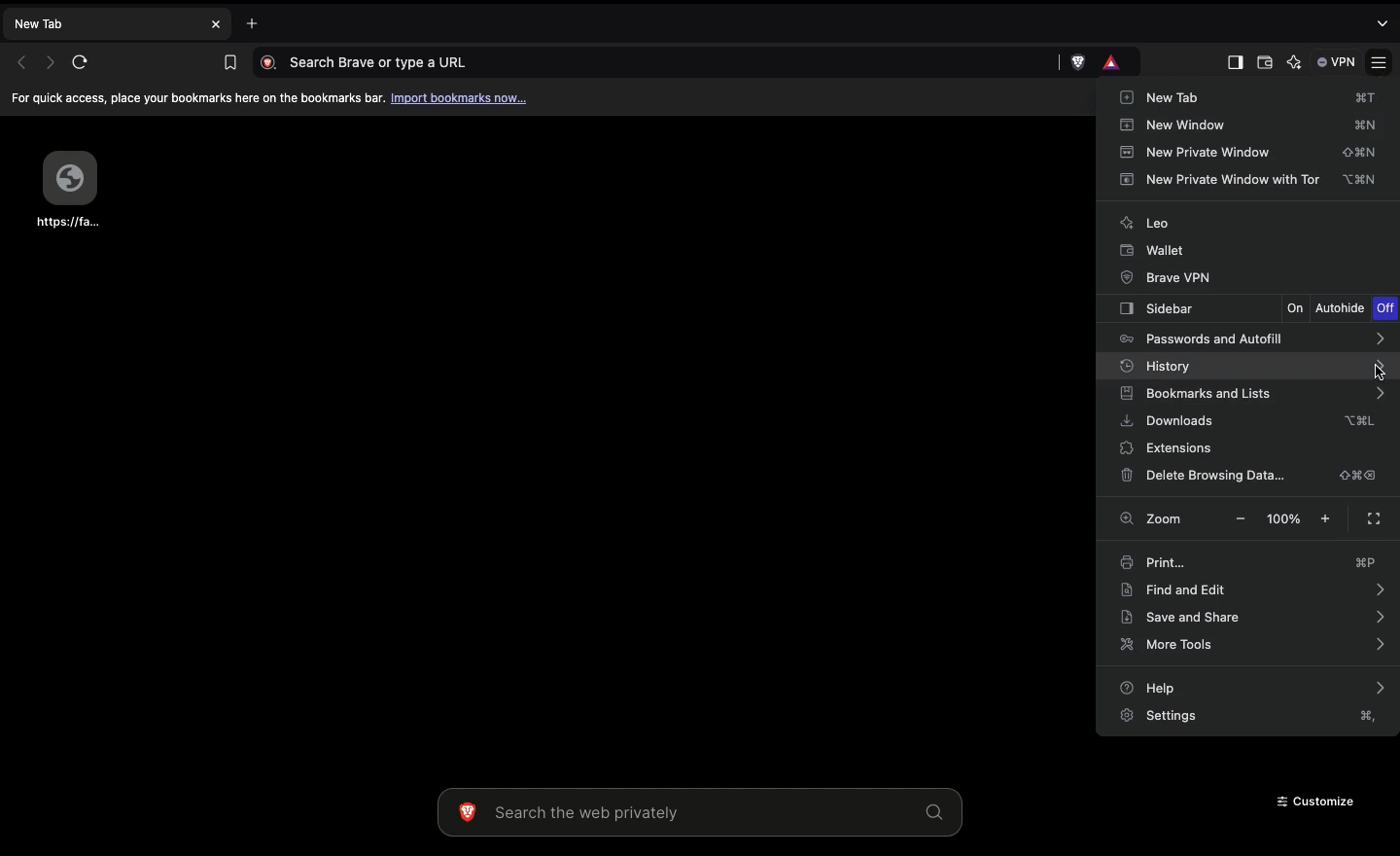 The image size is (1400, 856). I want to click on Delete browsing data, so click(1241, 476).